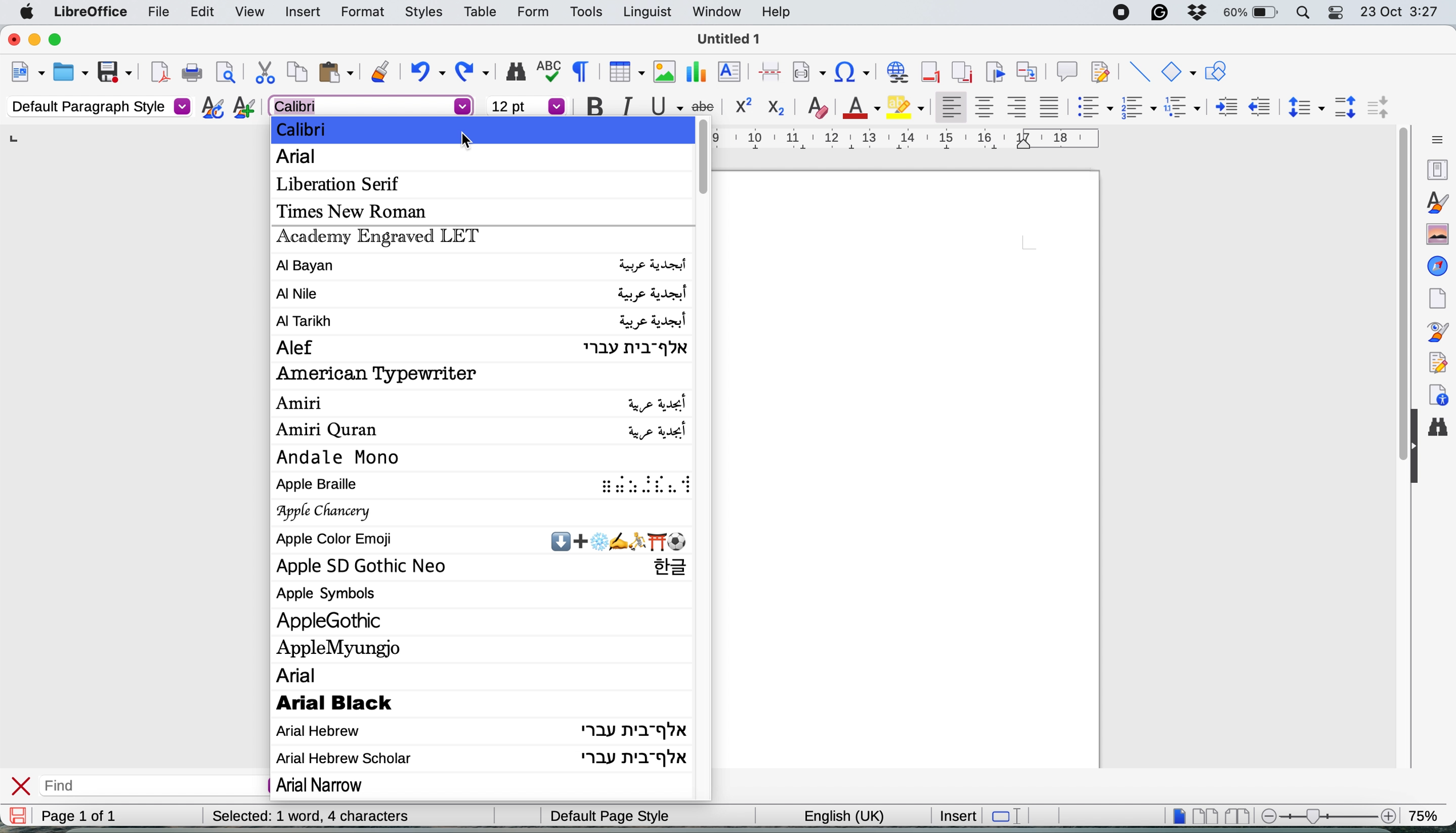 The image size is (1456, 833). What do you see at coordinates (335, 72) in the screenshot?
I see `paste` at bounding box center [335, 72].